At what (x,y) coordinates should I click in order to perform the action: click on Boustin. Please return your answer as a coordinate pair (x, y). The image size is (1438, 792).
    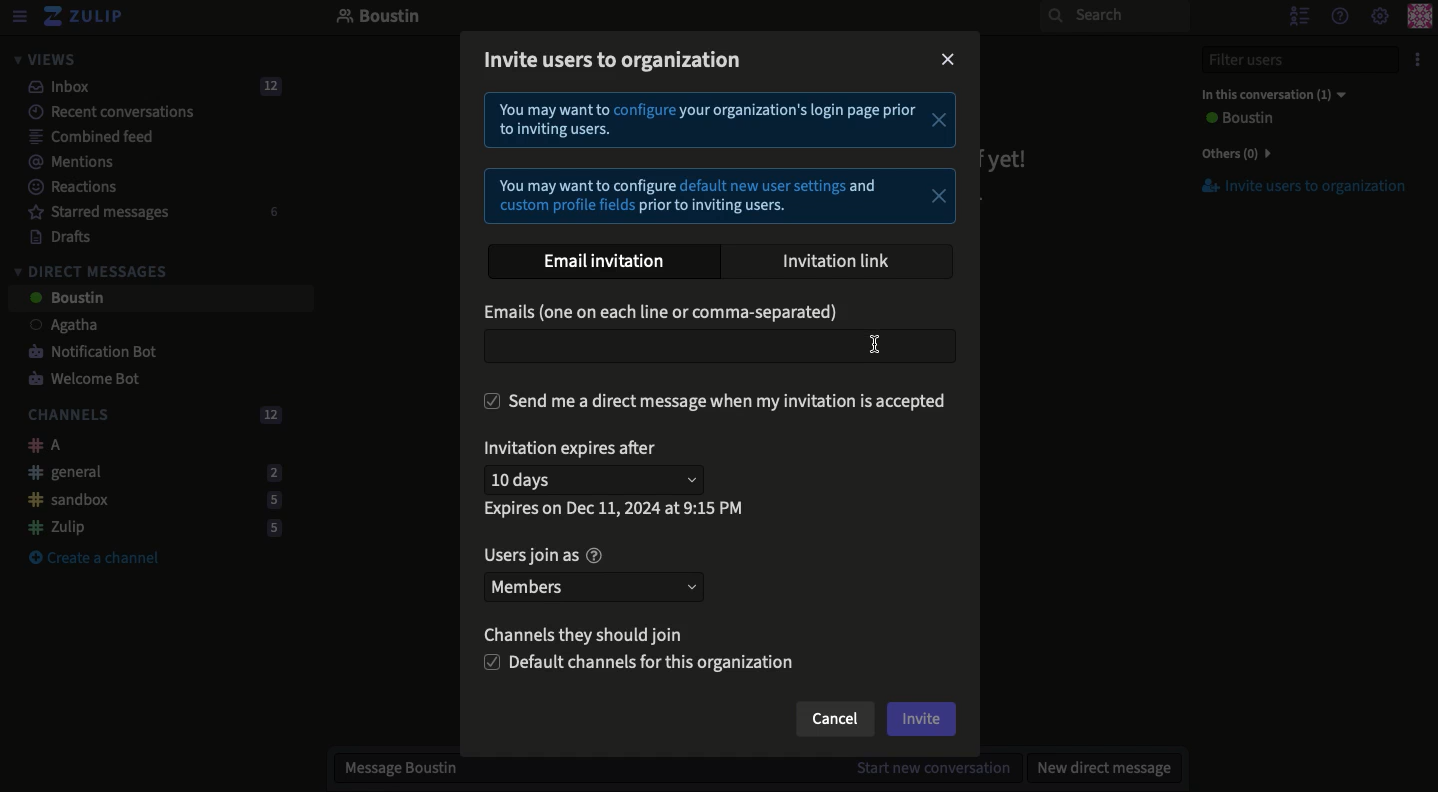
    Looking at the image, I should click on (379, 18).